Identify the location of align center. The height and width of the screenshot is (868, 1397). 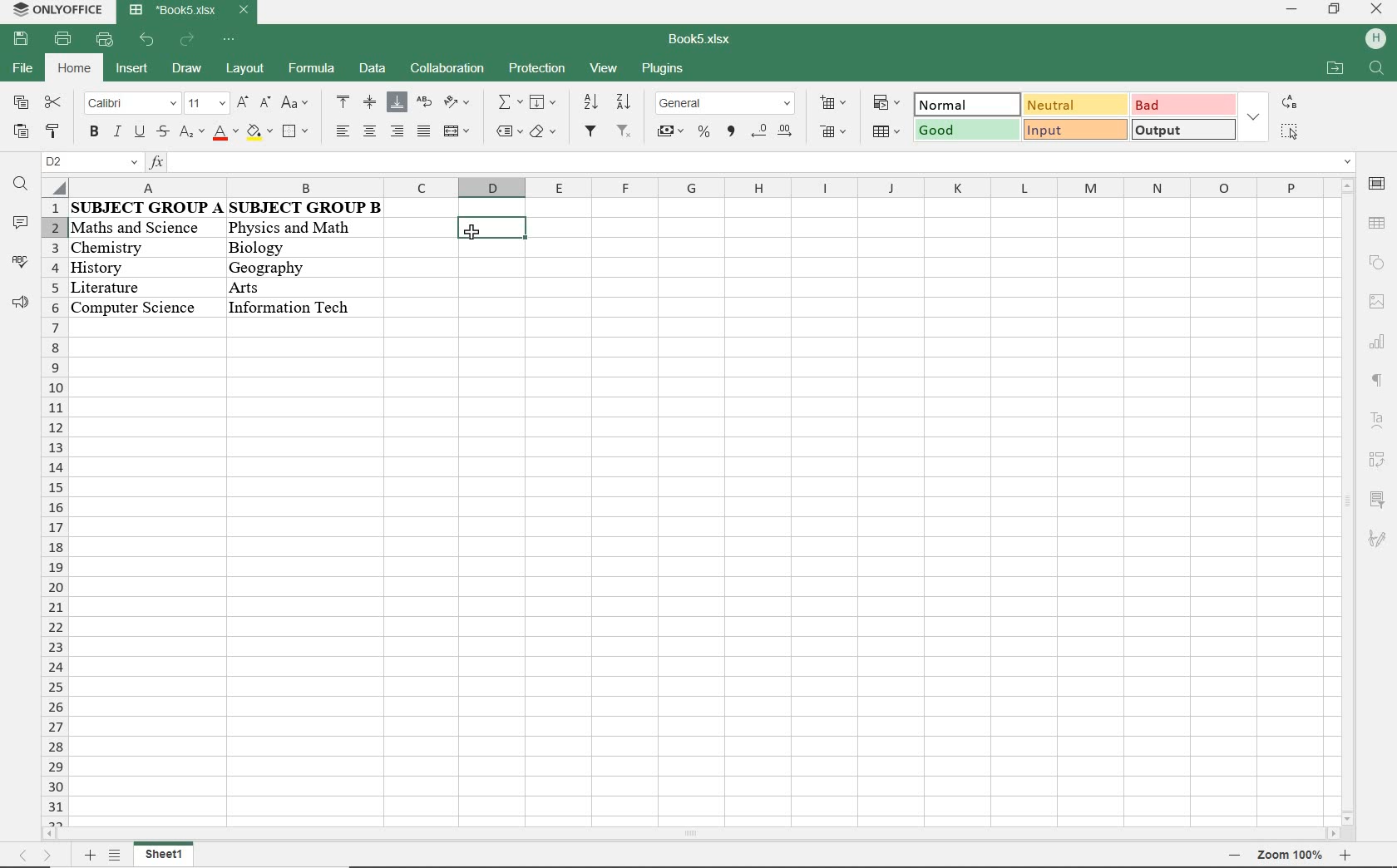
(369, 131).